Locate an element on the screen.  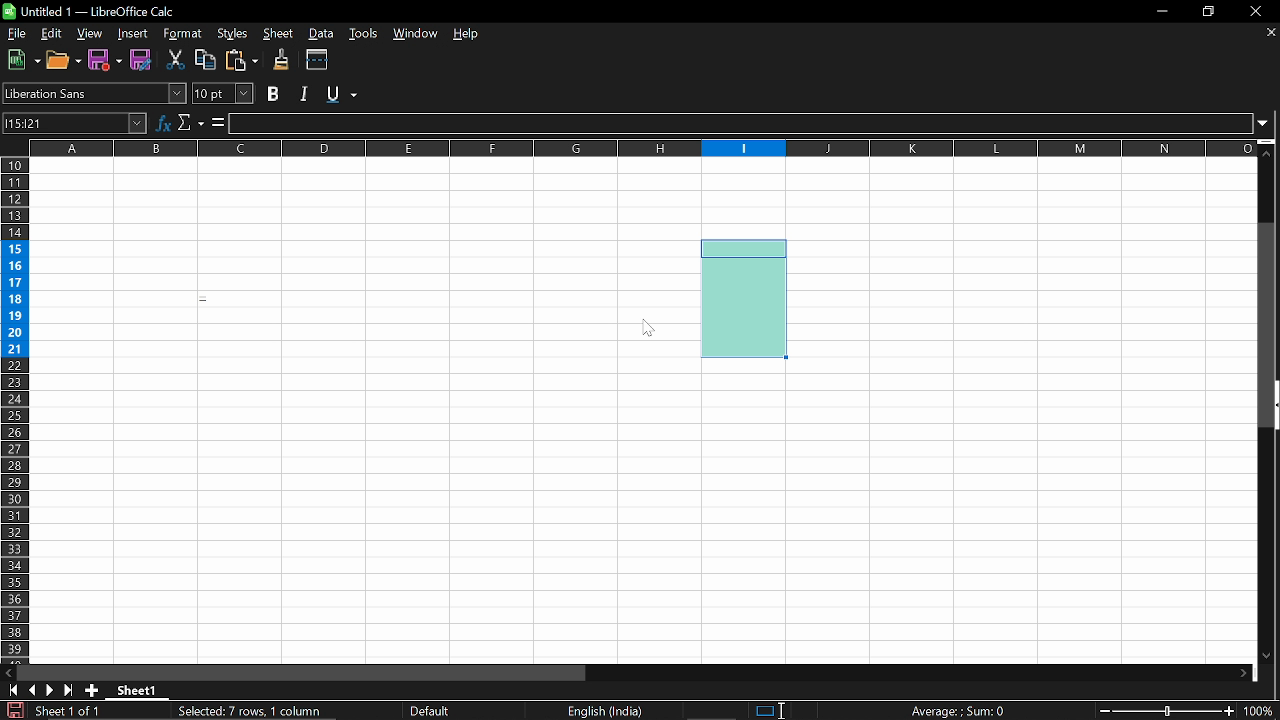
Styles is located at coordinates (229, 34).